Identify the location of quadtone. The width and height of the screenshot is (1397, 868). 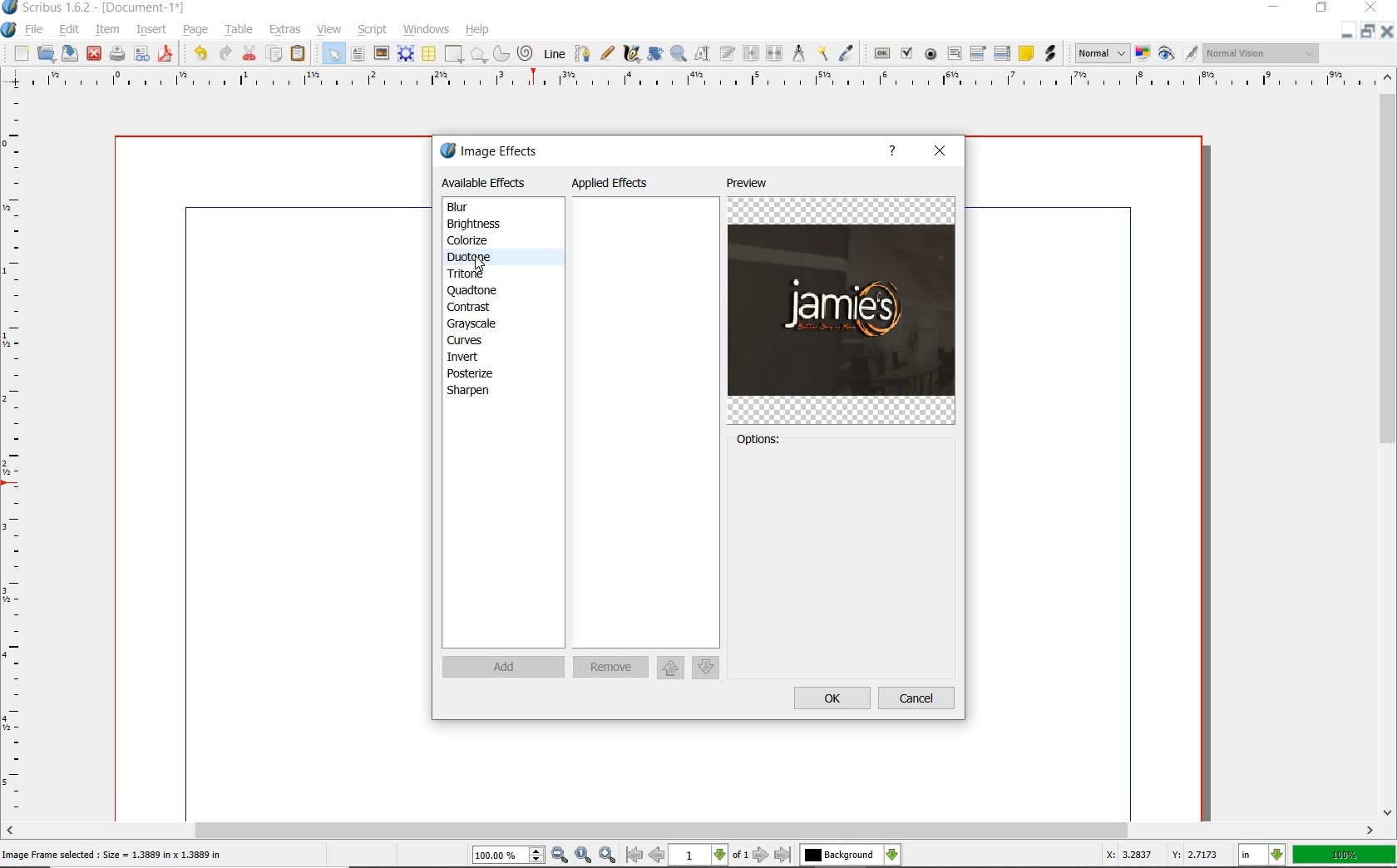
(476, 291).